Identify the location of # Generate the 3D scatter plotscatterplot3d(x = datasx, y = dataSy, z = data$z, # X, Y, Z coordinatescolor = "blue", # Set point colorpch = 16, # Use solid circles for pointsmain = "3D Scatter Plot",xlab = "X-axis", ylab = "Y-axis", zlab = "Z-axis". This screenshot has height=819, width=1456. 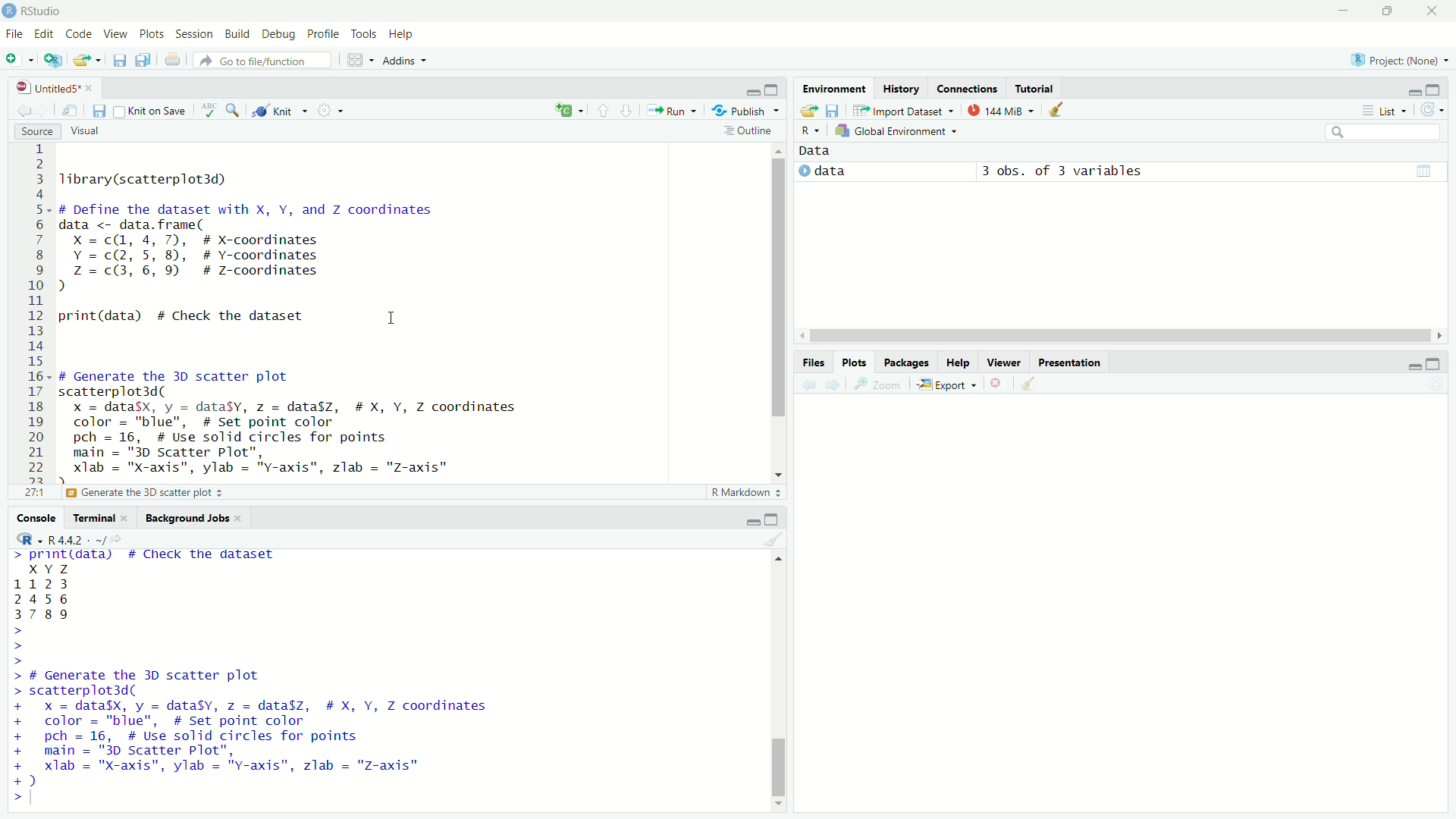
(309, 424).